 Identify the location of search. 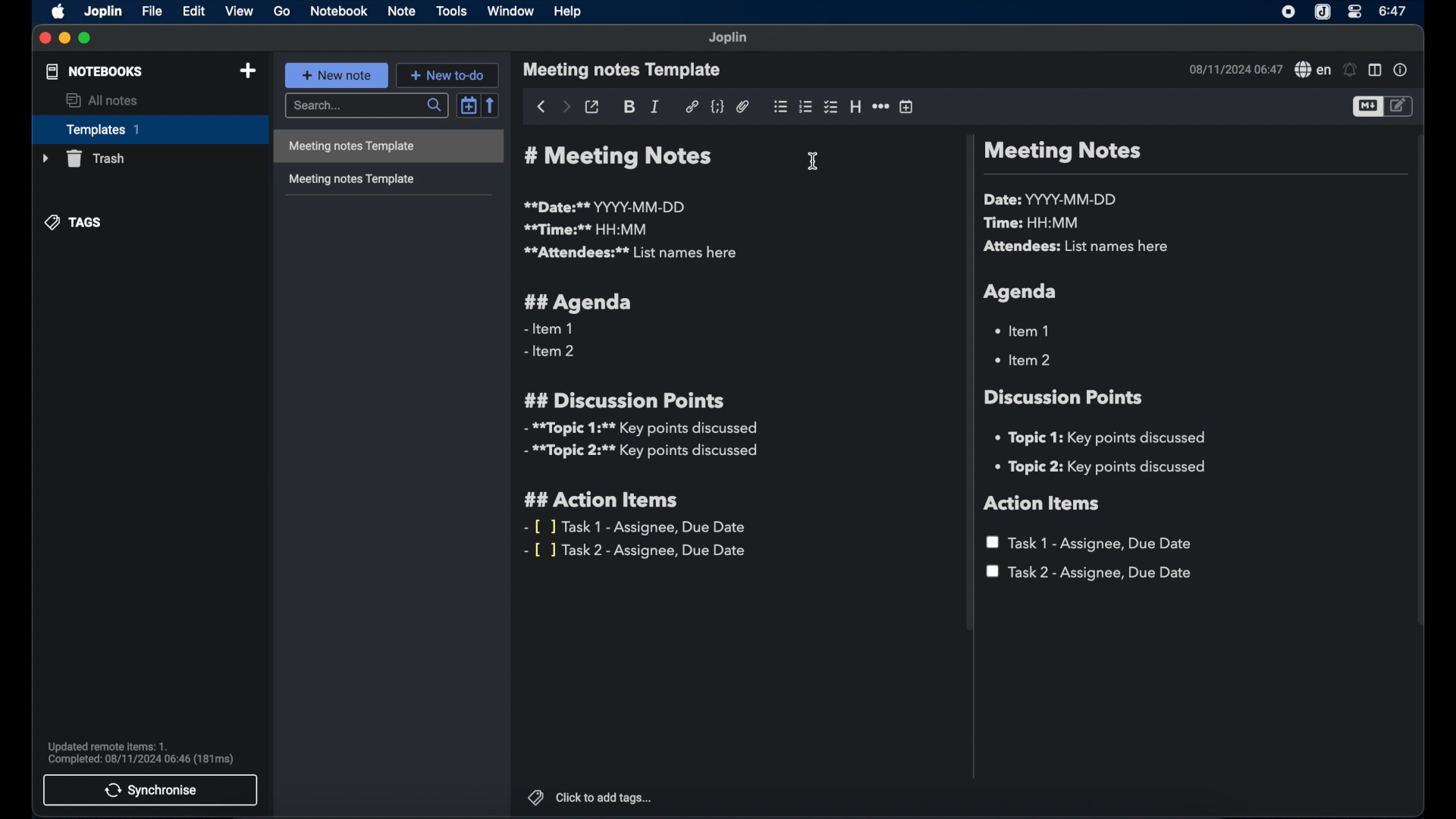
(365, 106).